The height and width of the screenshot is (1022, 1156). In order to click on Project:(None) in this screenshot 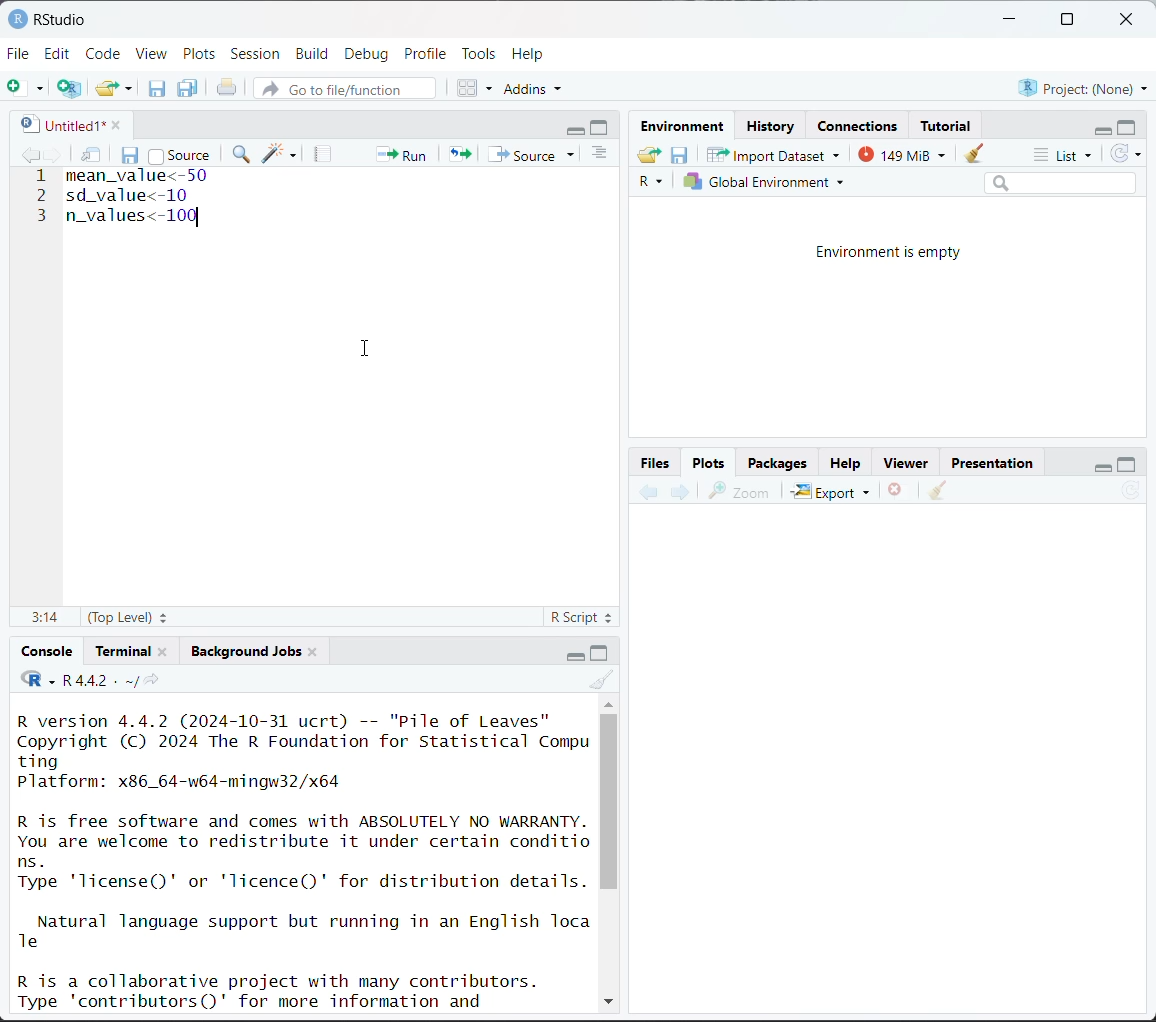, I will do `click(1082, 86)`.